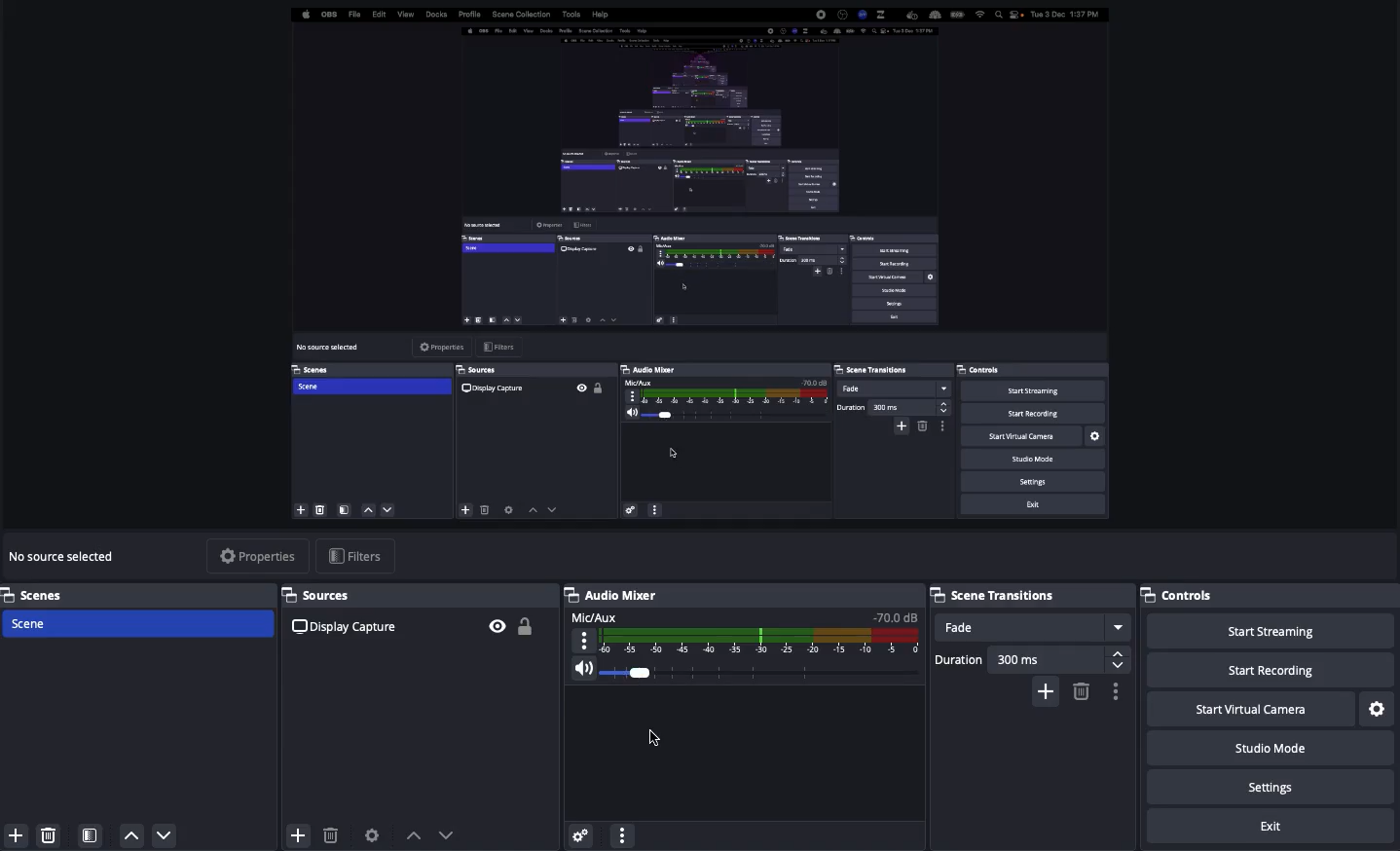 This screenshot has width=1400, height=851. What do you see at coordinates (740, 635) in the screenshot?
I see `Audio Mixer` at bounding box center [740, 635].